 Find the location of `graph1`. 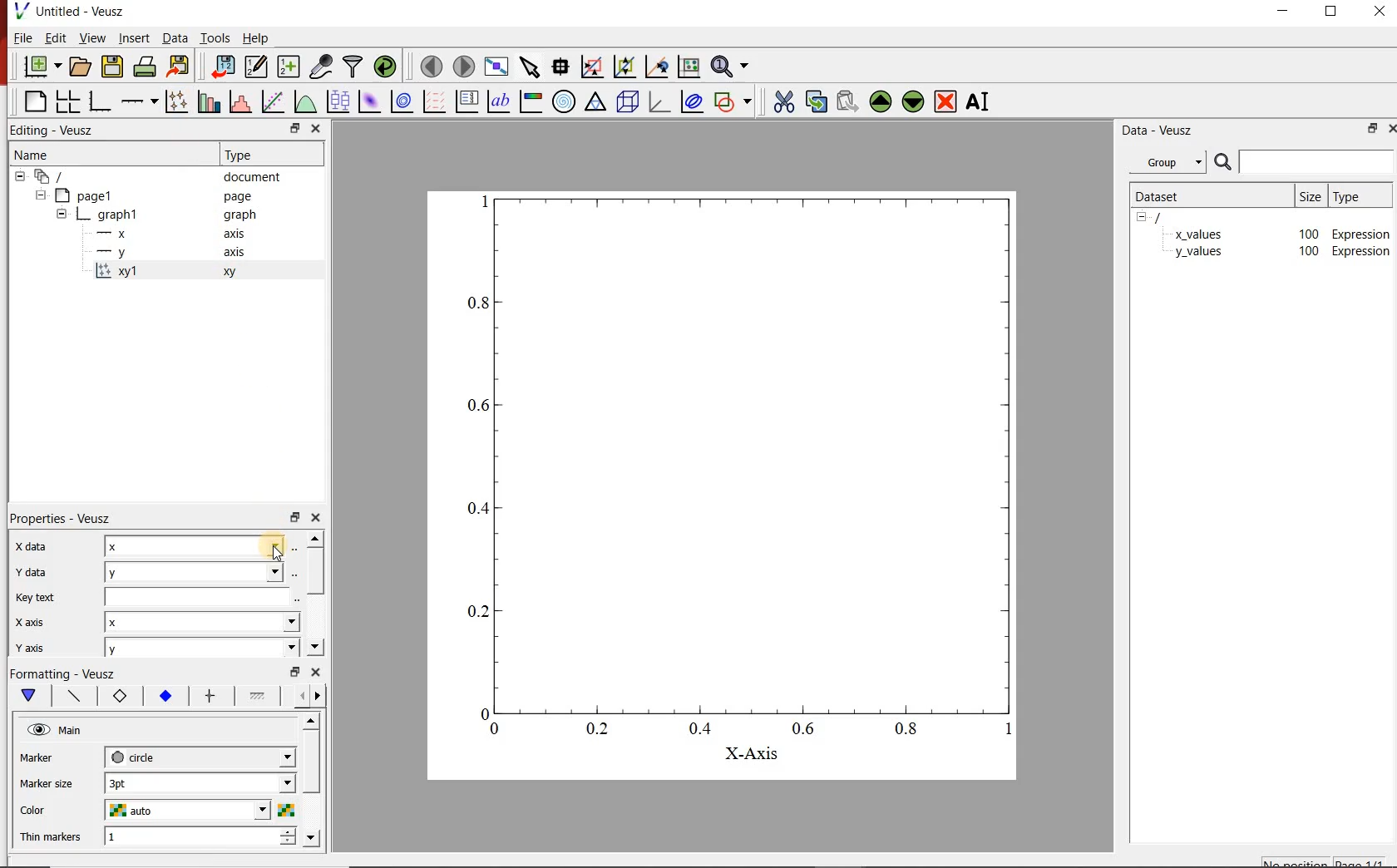

graph1 is located at coordinates (120, 214).